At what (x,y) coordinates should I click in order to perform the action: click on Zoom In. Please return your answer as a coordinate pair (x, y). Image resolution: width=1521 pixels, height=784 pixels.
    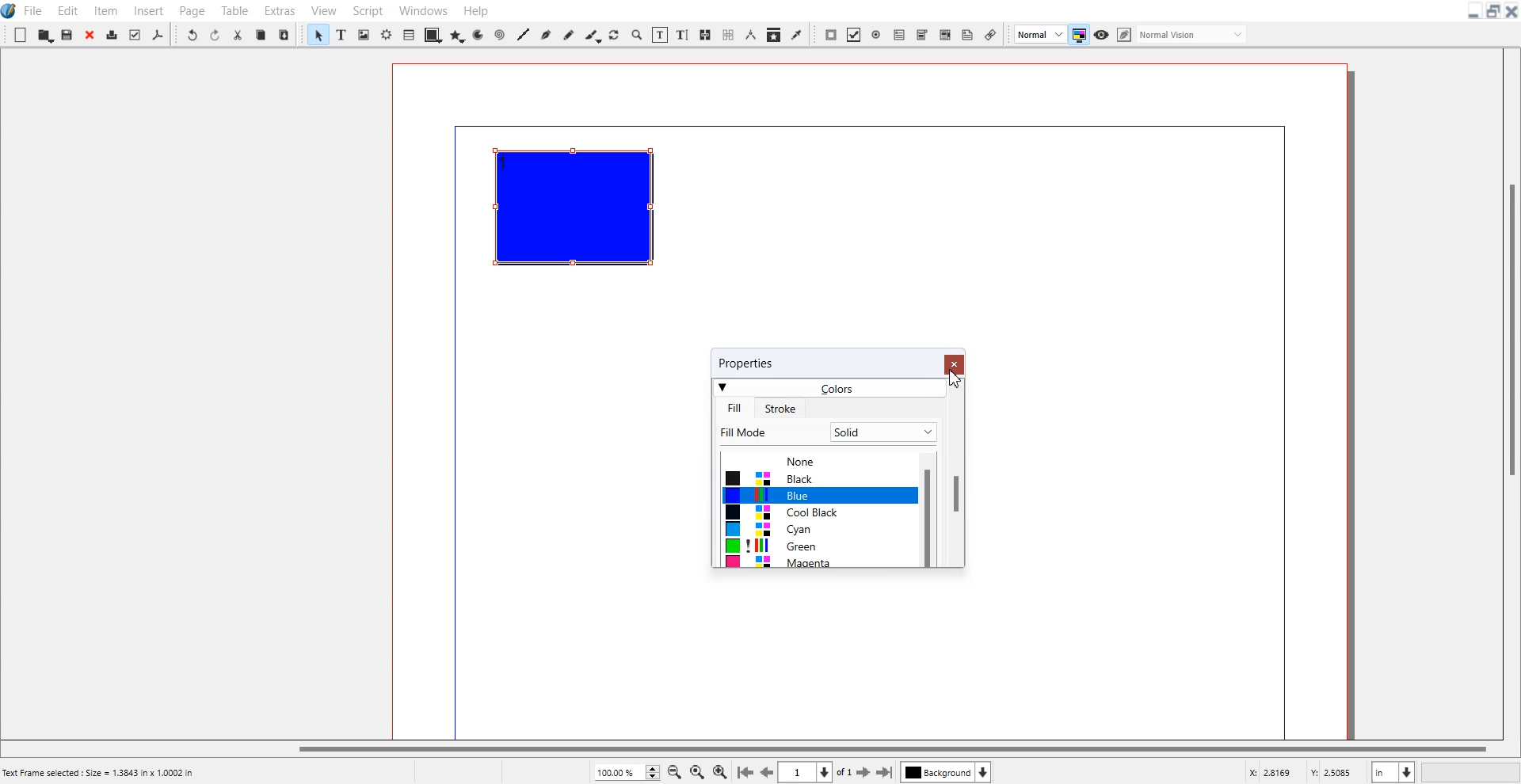
    Looking at the image, I should click on (720, 771).